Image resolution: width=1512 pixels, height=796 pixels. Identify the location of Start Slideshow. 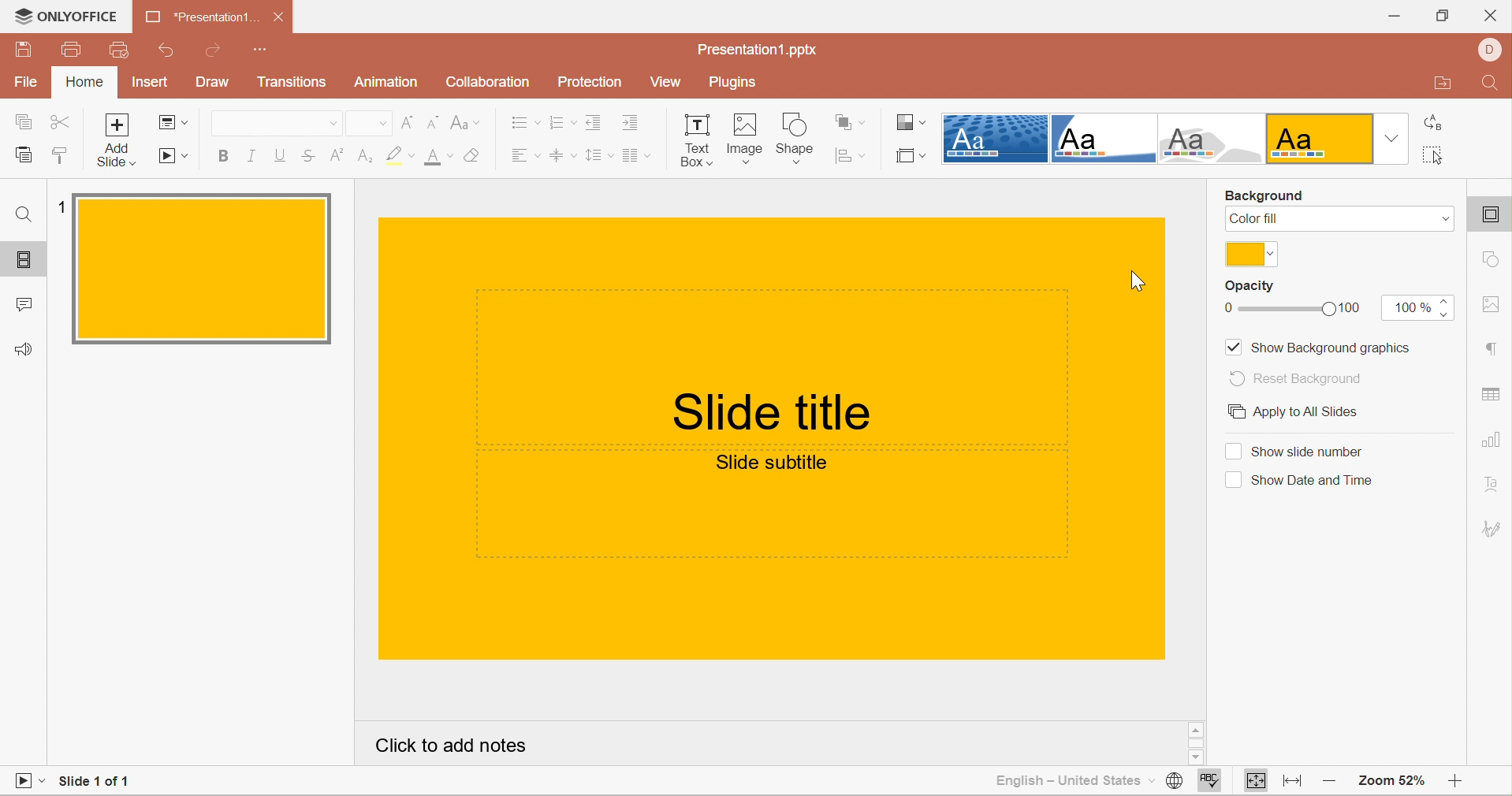
(174, 156).